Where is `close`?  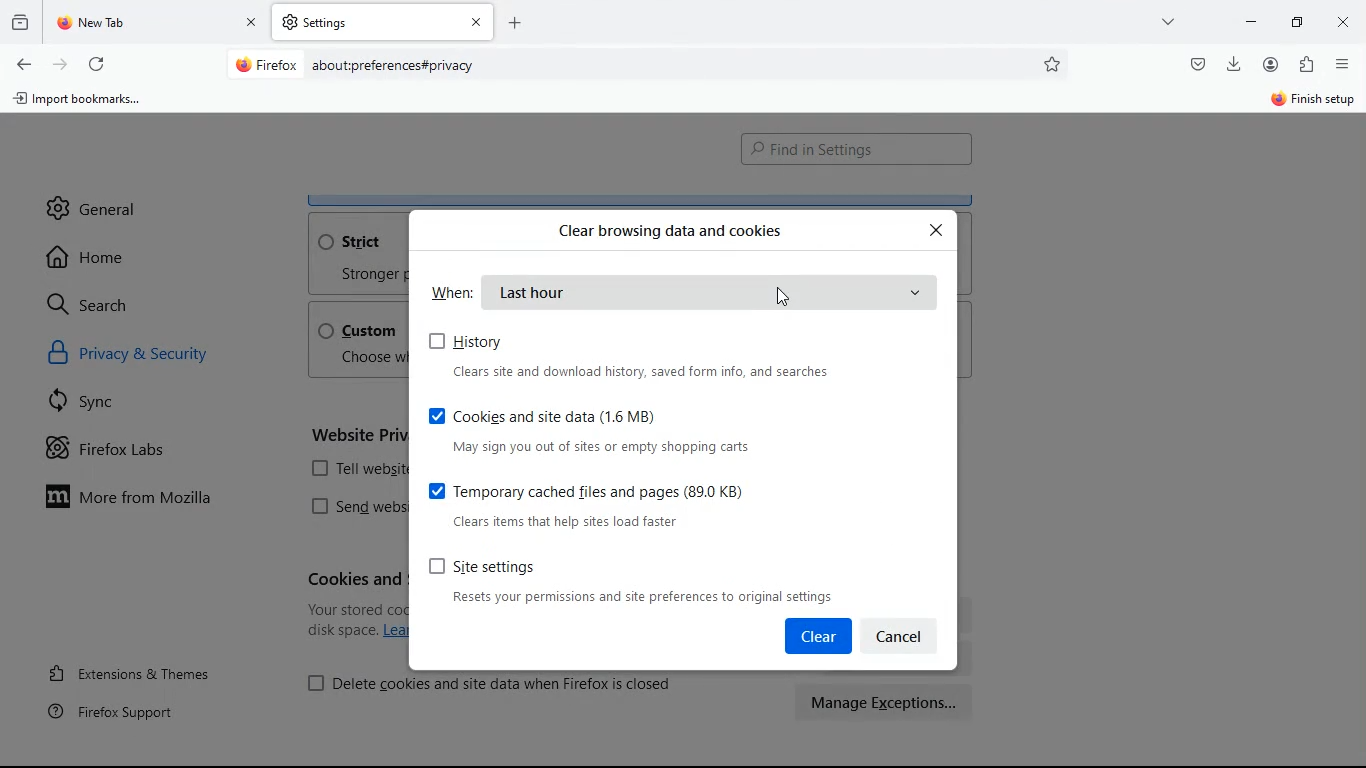
close is located at coordinates (938, 230).